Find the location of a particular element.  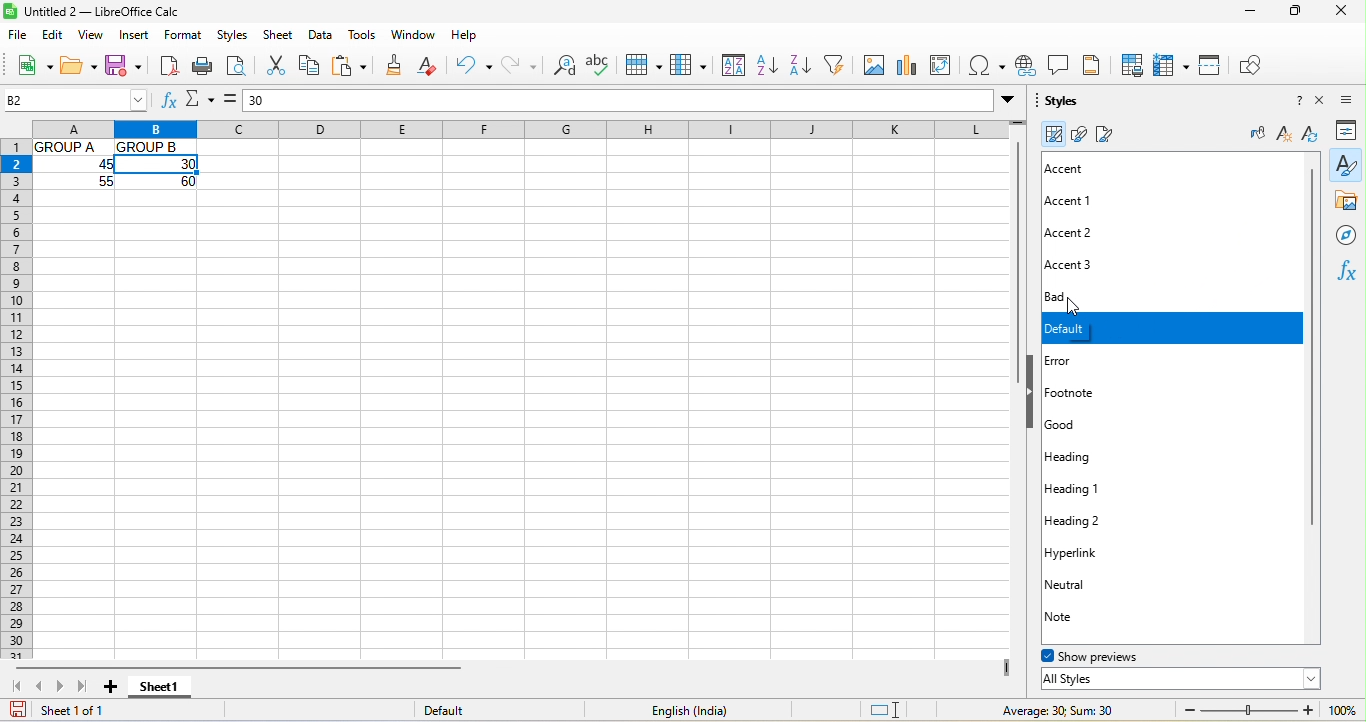

edit is located at coordinates (54, 37).